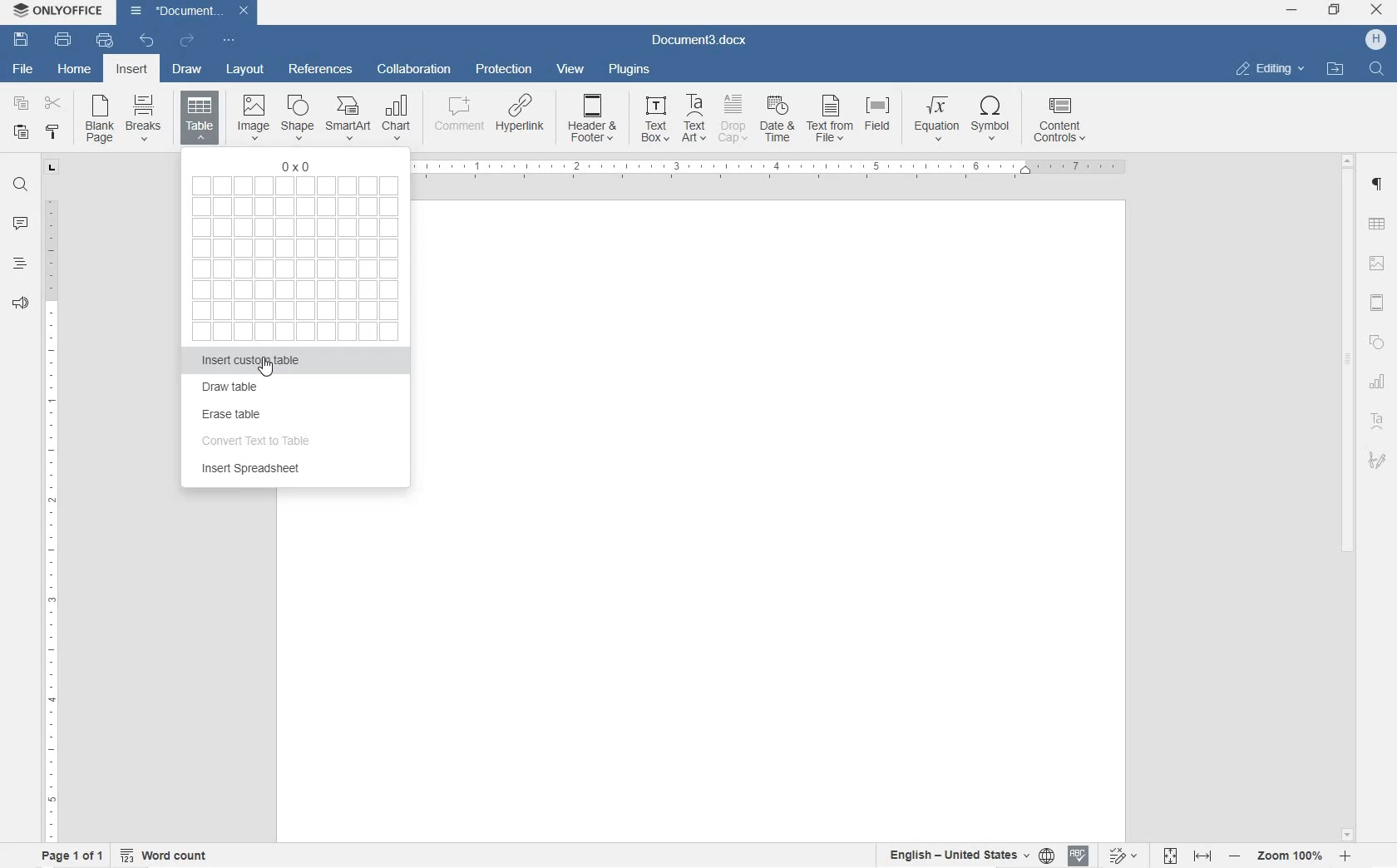 This screenshot has height=868, width=1397. What do you see at coordinates (147, 42) in the screenshot?
I see `UNDO` at bounding box center [147, 42].